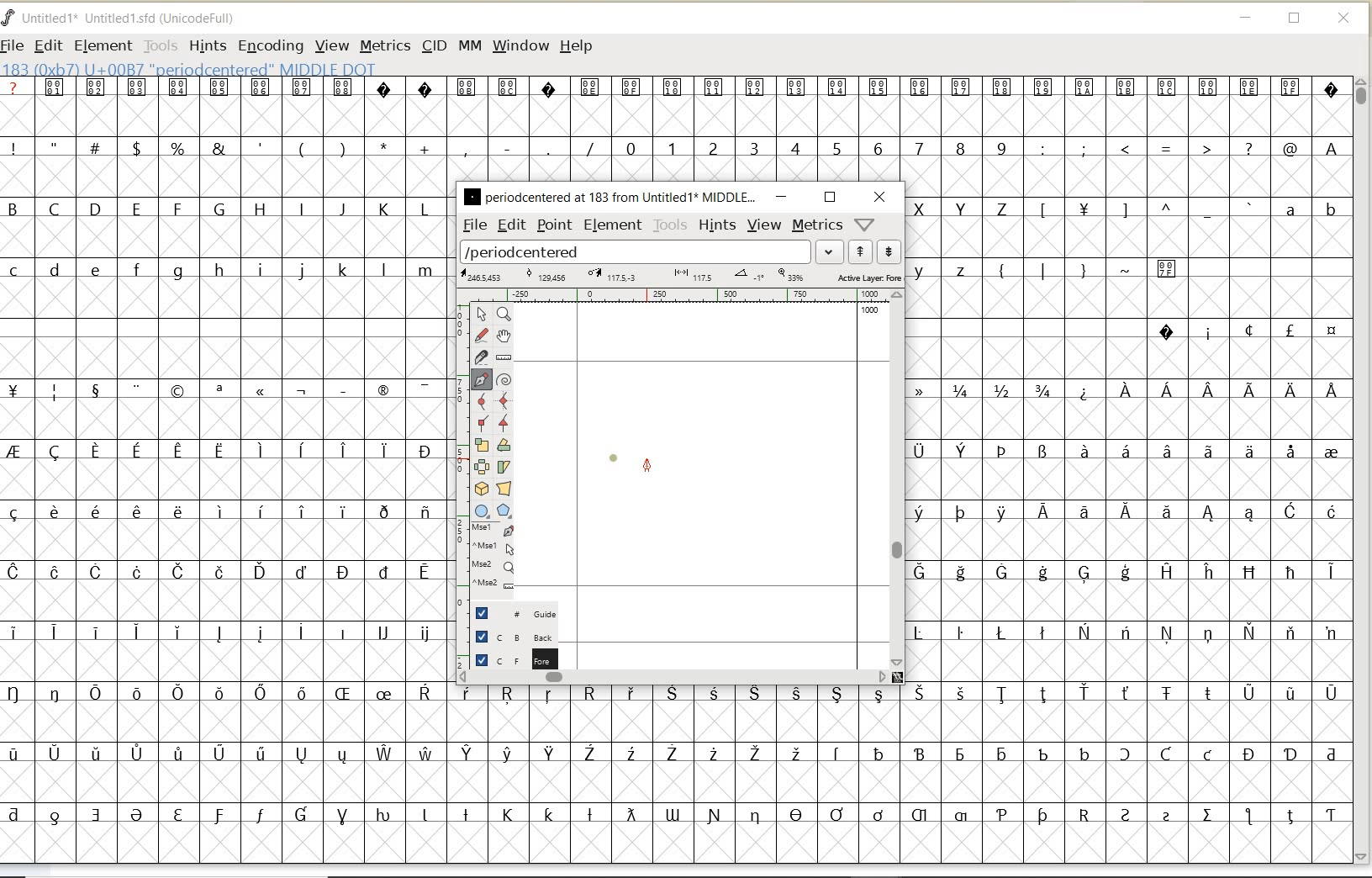  Describe the element at coordinates (481, 357) in the screenshot. I see `cut splines in two` at that location.